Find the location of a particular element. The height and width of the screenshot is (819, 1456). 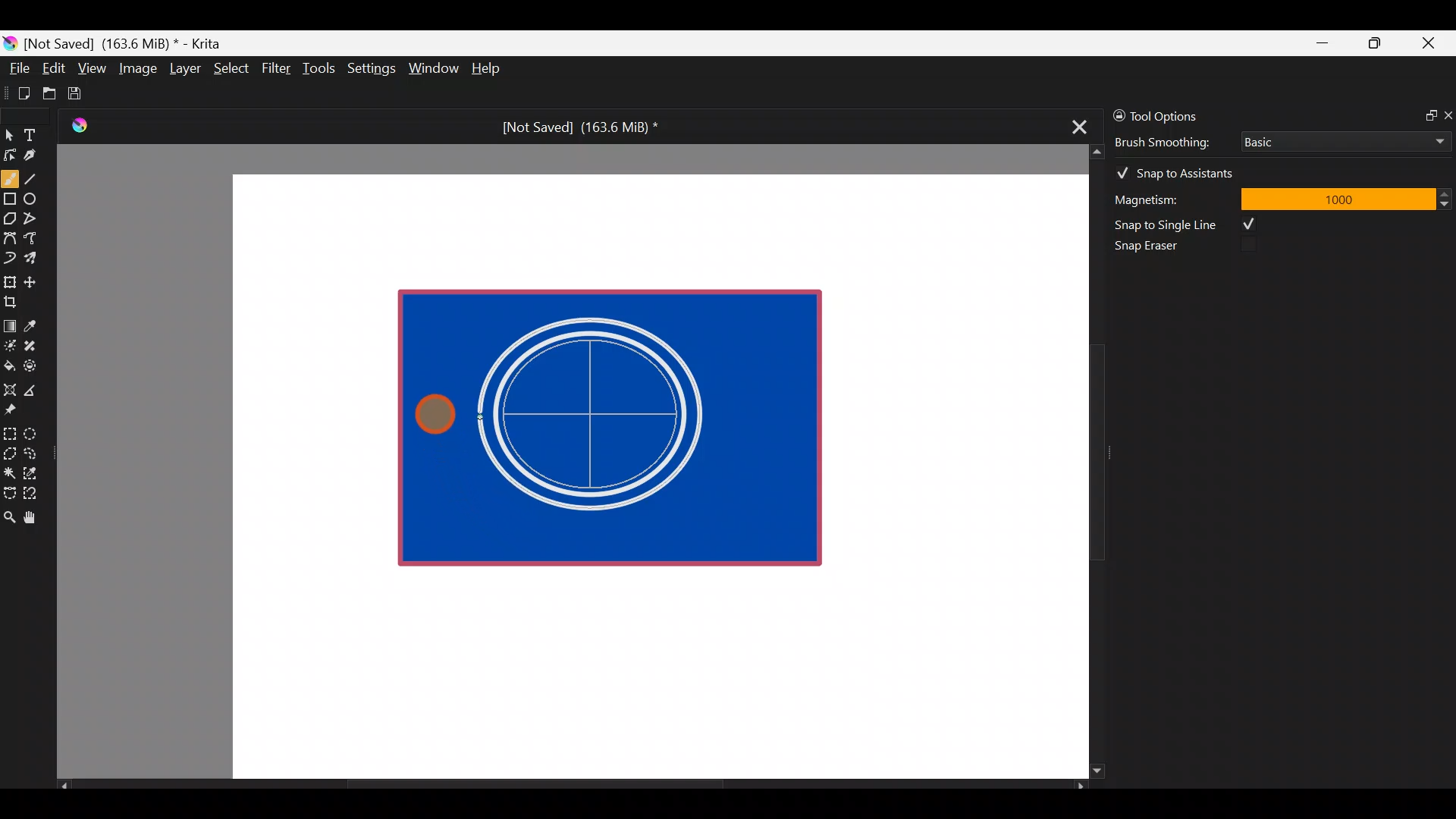

[Not Saved] (163.6 MiB) * - Krita is located at coordinates (130, 42).